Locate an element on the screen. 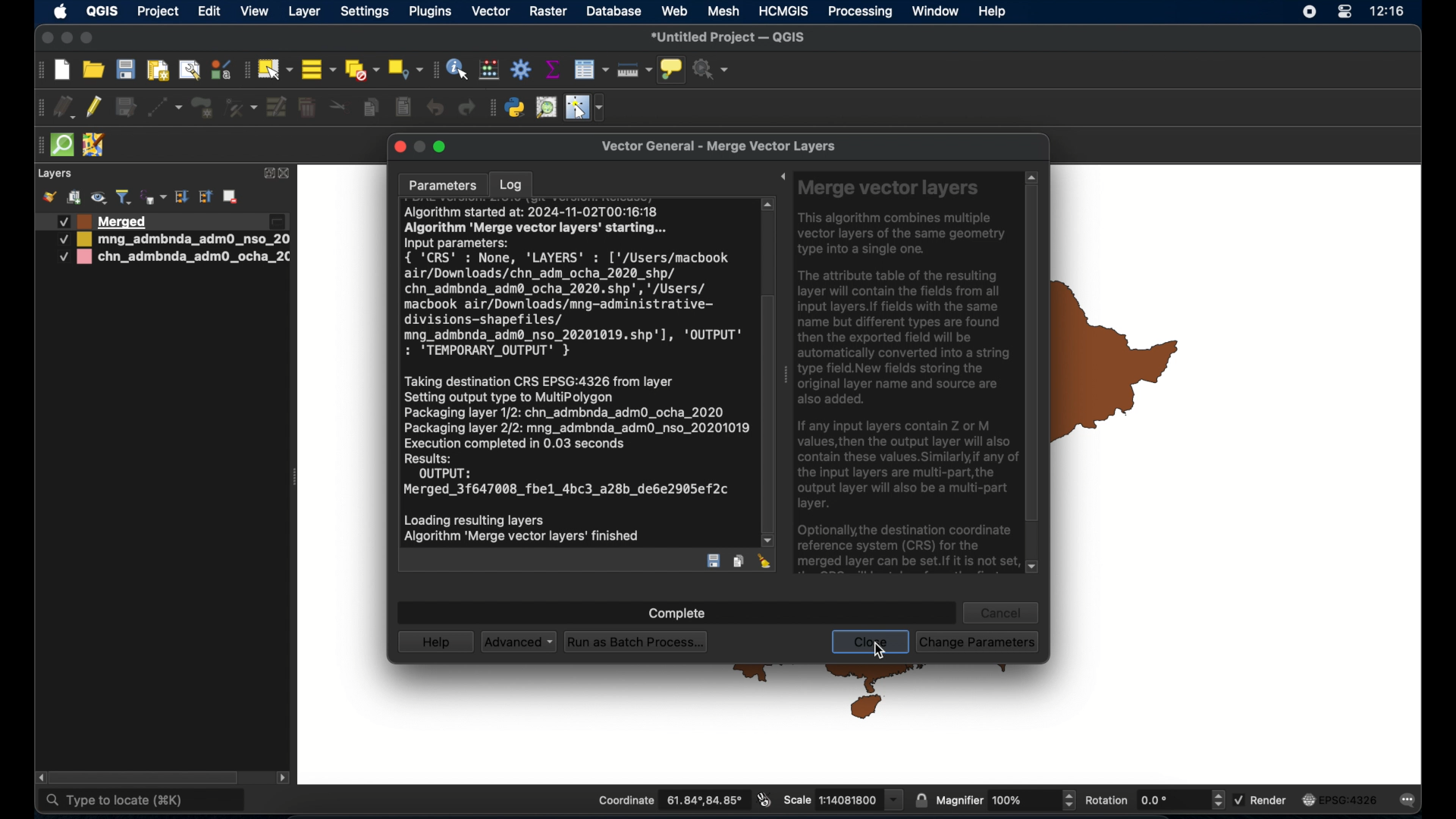 The image size is (1456, 819). HCMGIS is located at coordinates (783, 11).